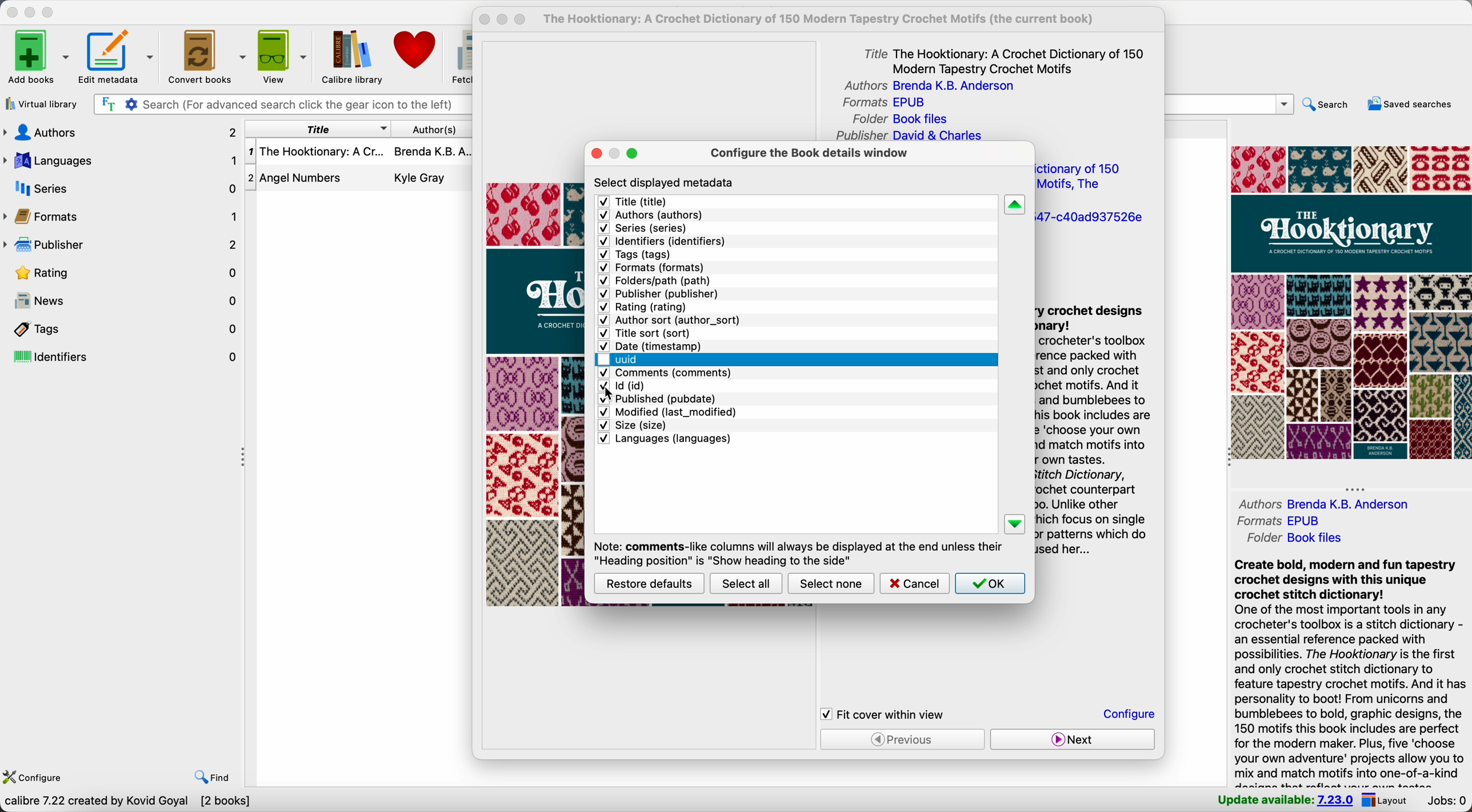 The image size is (1472, 812). I want to click on layout, so click(1384, 799).